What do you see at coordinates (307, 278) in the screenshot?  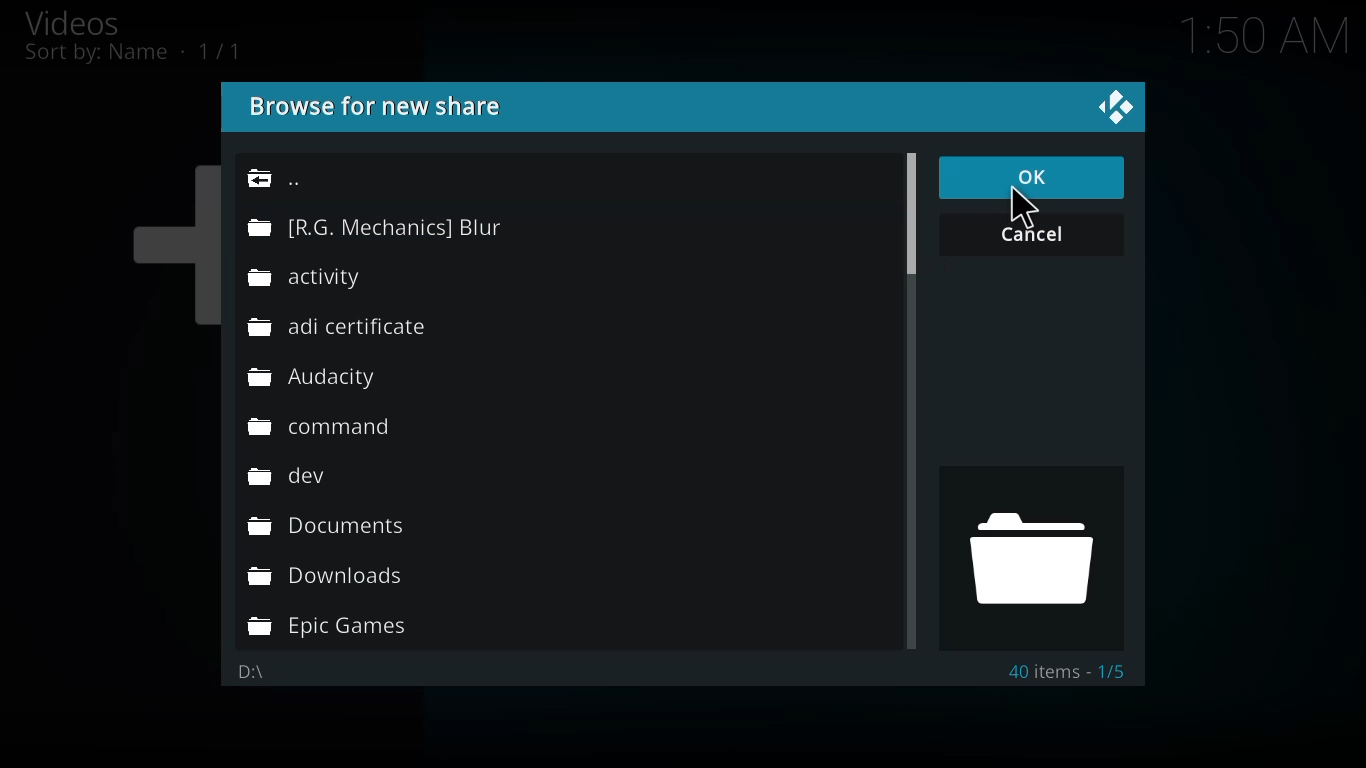 I see `folder` at bounding box center [307, 278].